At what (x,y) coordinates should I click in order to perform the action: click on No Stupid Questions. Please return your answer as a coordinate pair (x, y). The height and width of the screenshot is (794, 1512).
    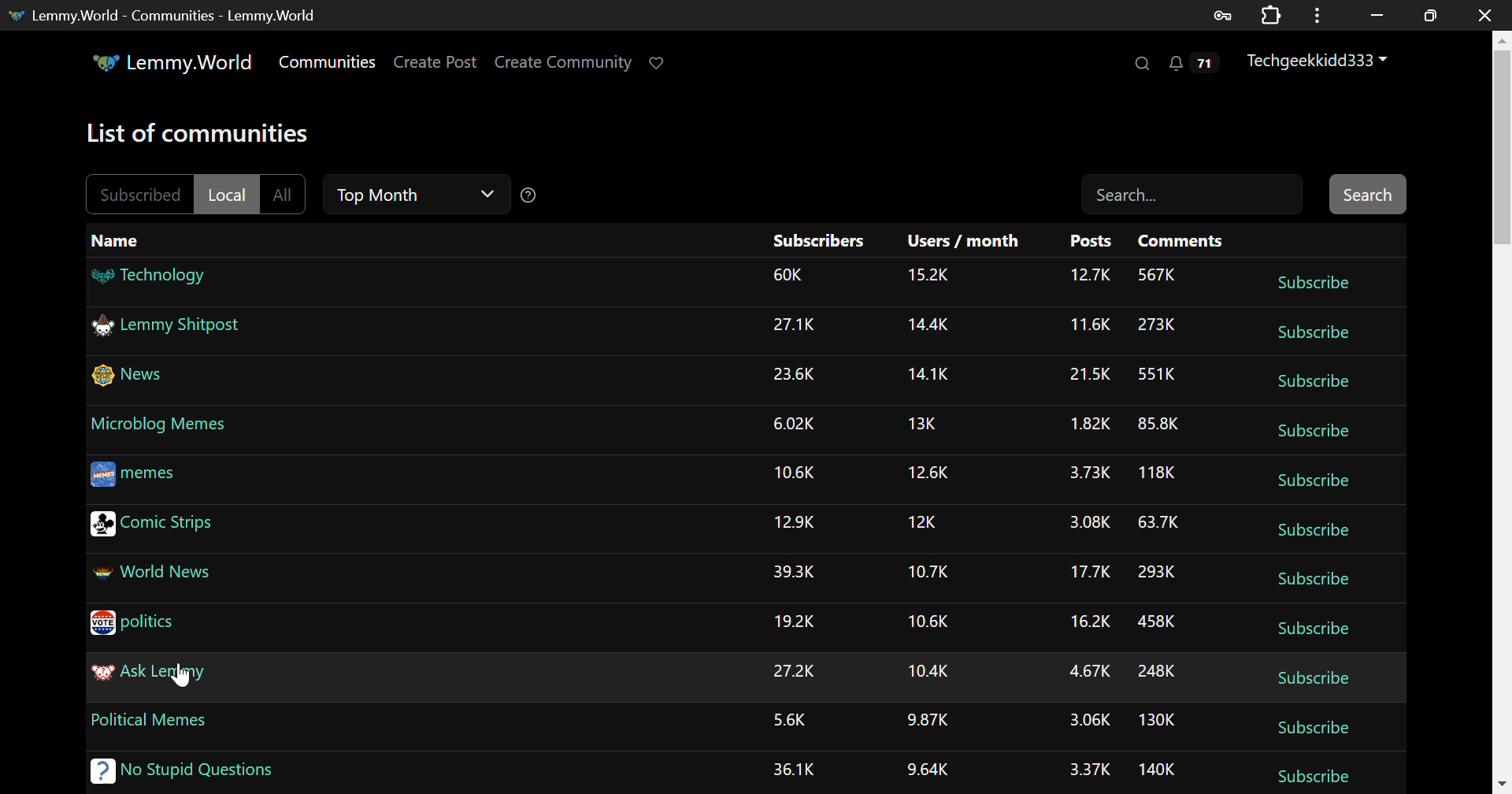
    Looking at the image, I should click on (202, 770).